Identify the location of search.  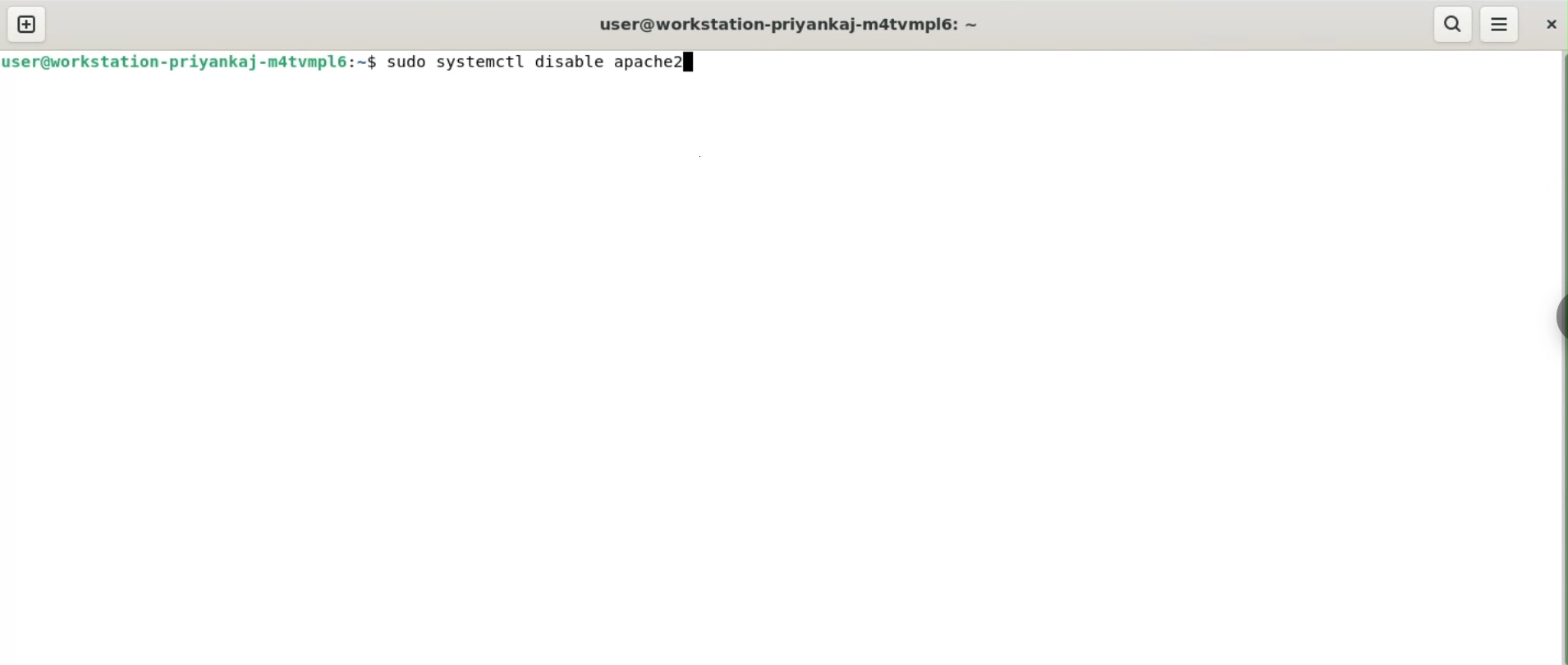
(1455, 25).